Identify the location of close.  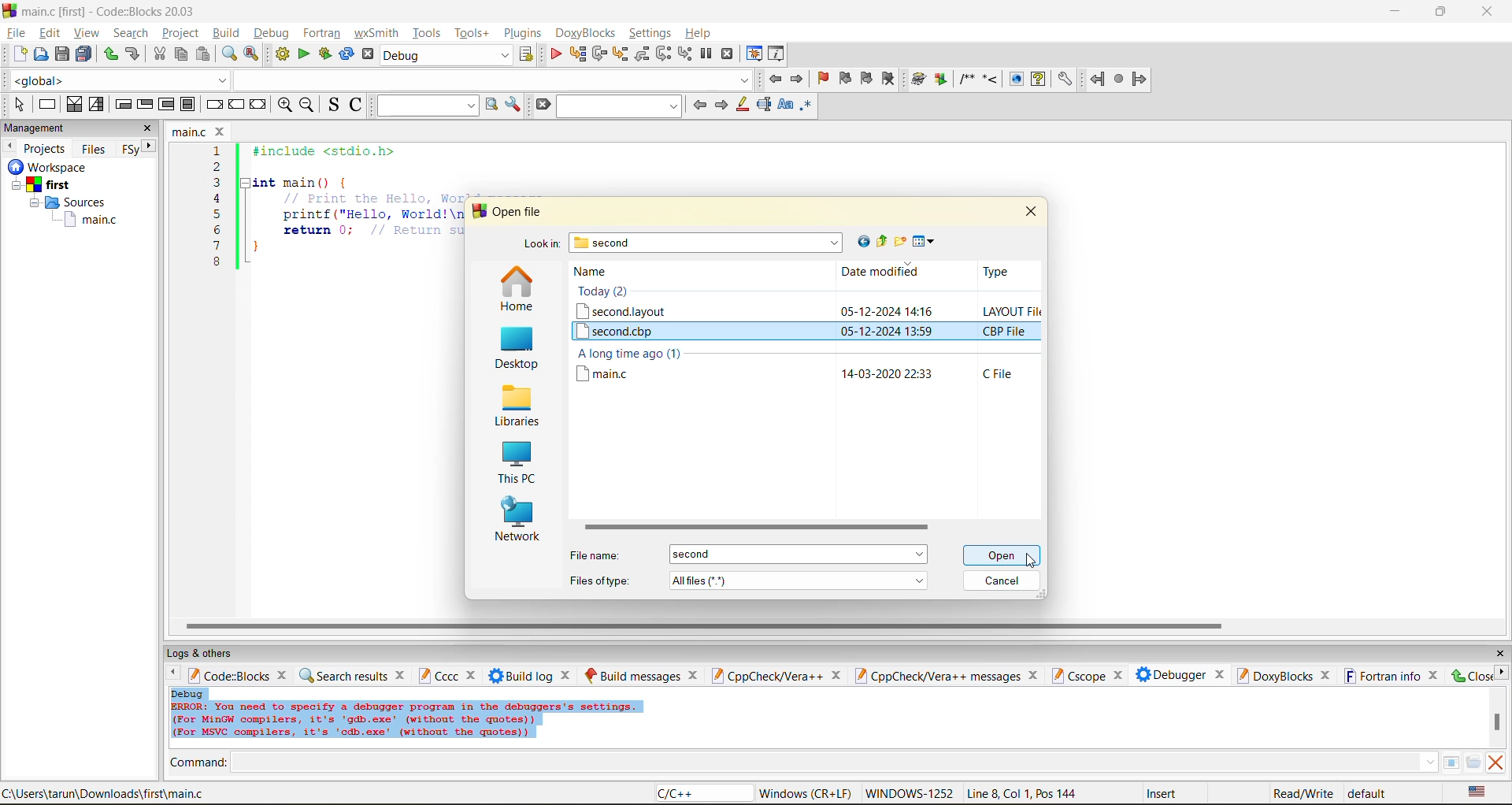
(1036, 675).